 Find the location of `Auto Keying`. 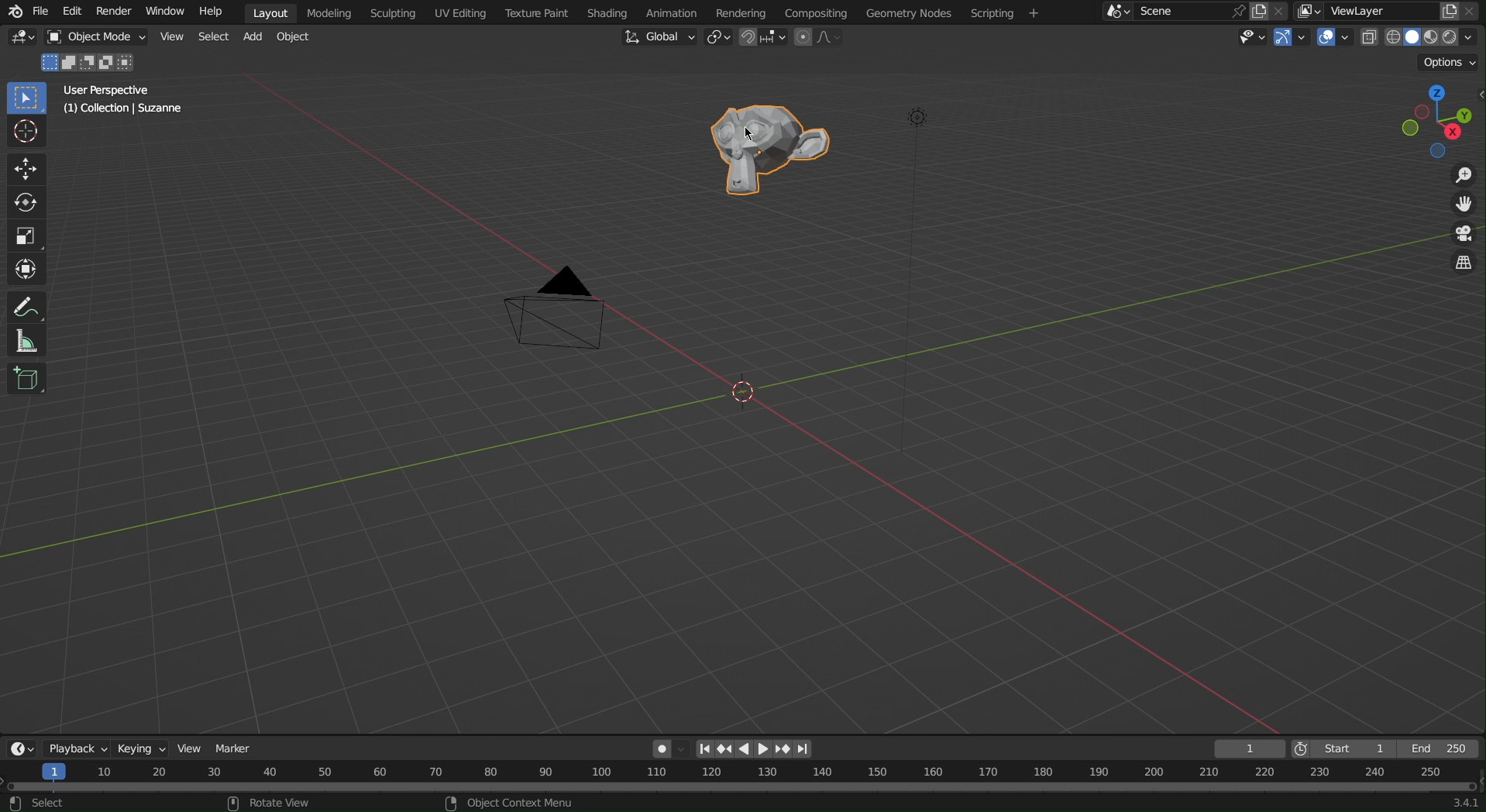

Auto Keying is located at coordinates (671, 749).